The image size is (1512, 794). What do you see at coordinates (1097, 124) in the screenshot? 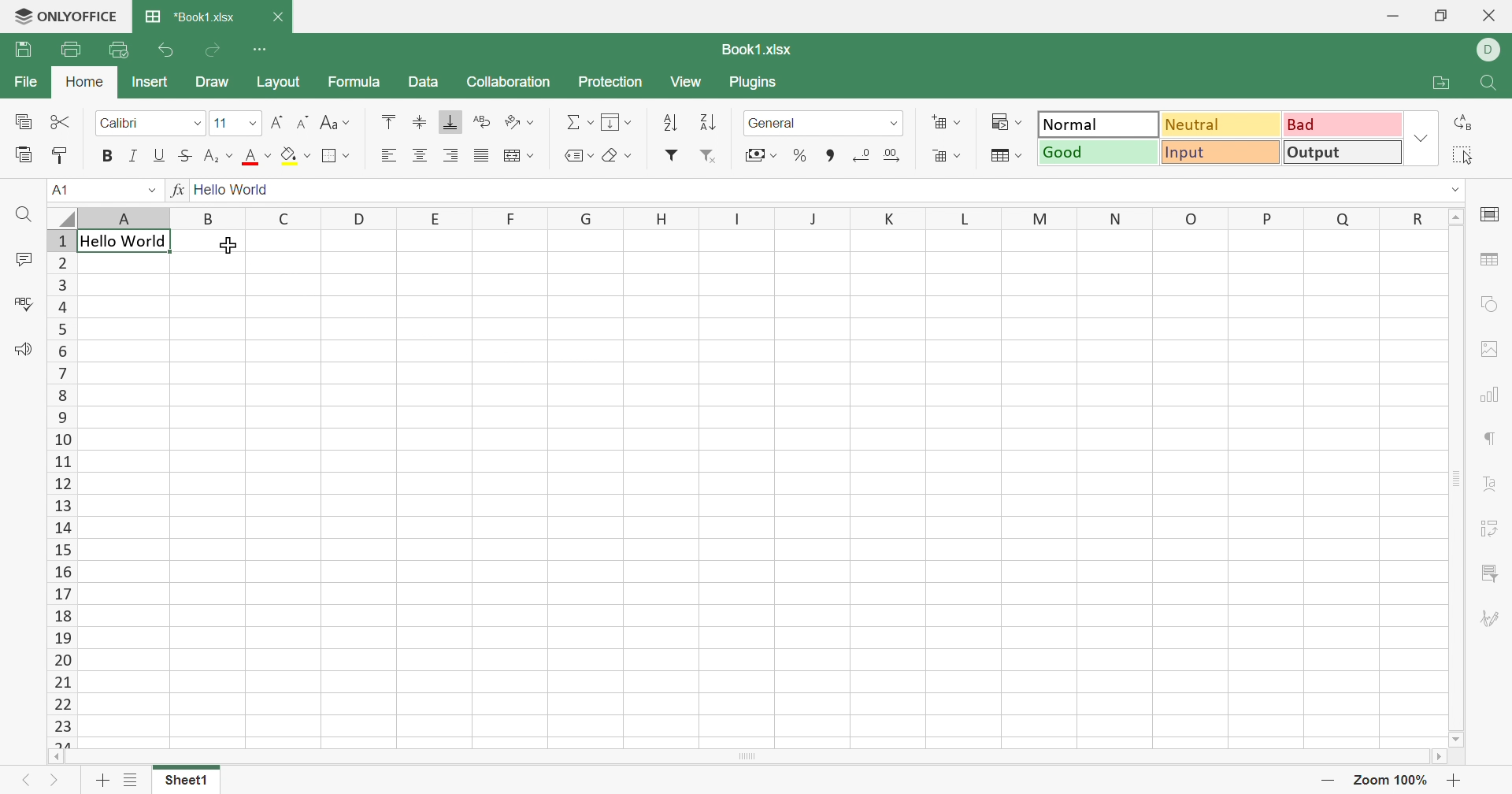
I see `Normal` at bounding box center [1097, 124].